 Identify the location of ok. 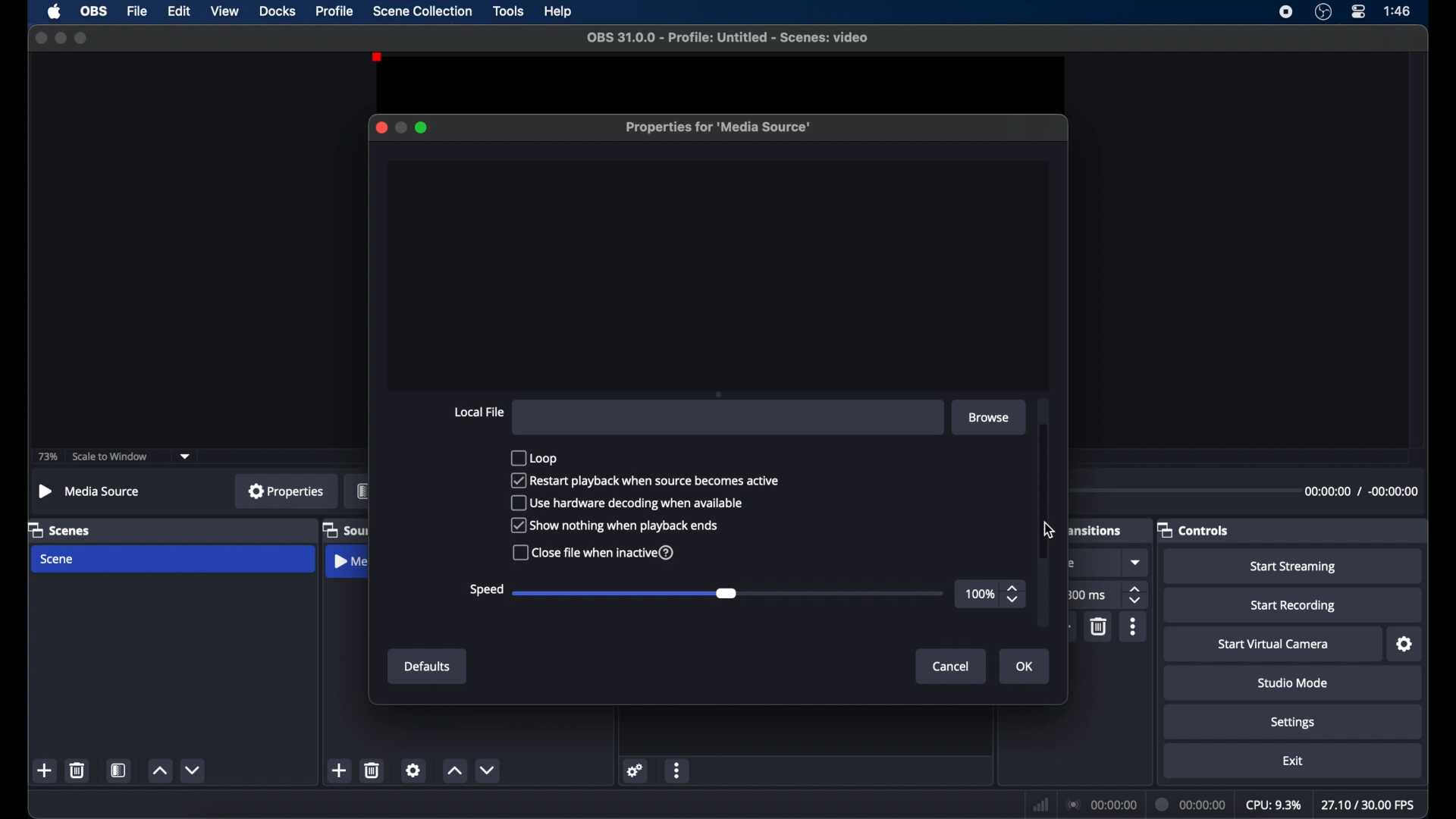
(1025, 667).